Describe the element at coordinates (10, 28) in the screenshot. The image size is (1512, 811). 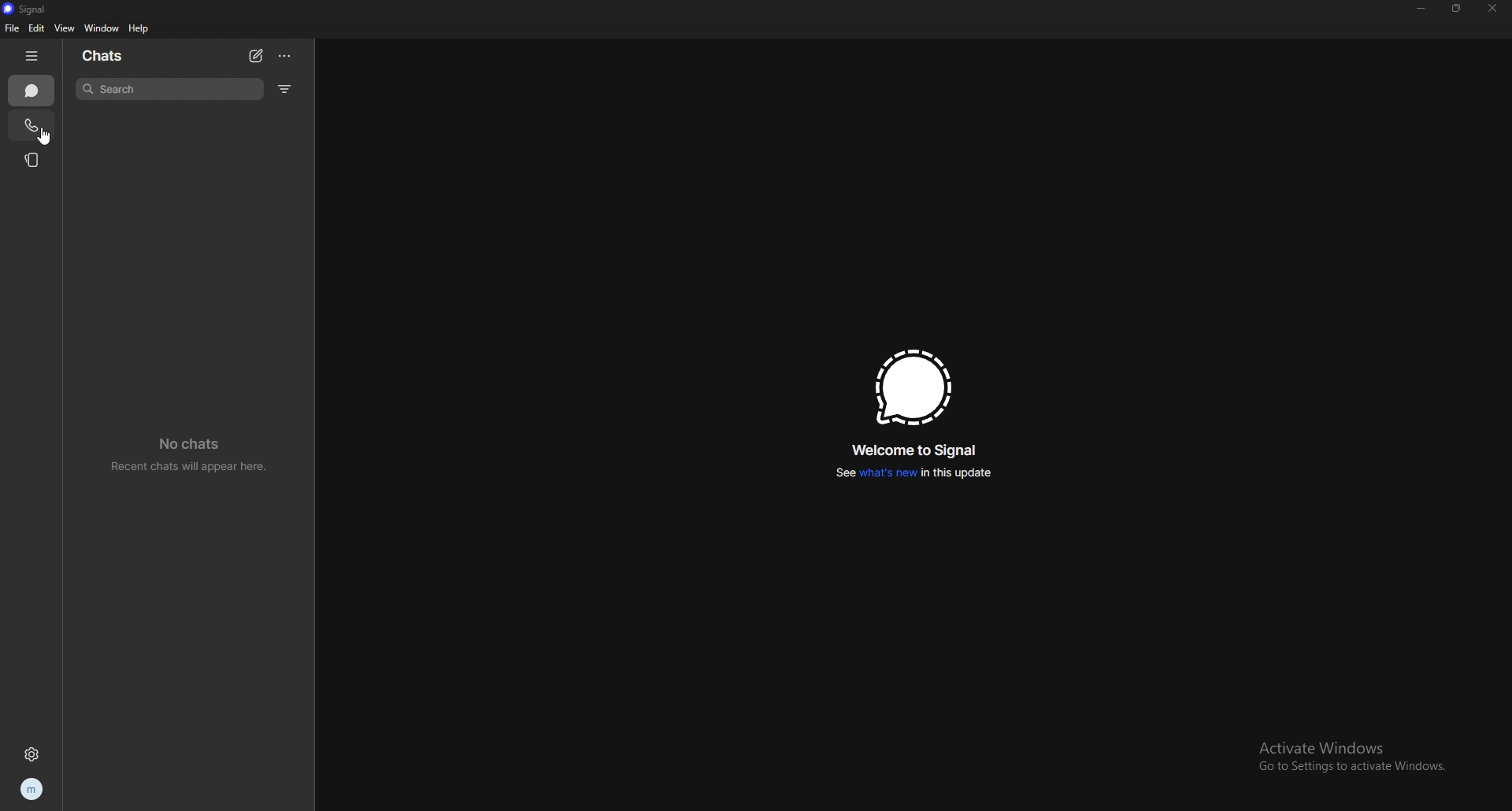
I see `file` at that location.